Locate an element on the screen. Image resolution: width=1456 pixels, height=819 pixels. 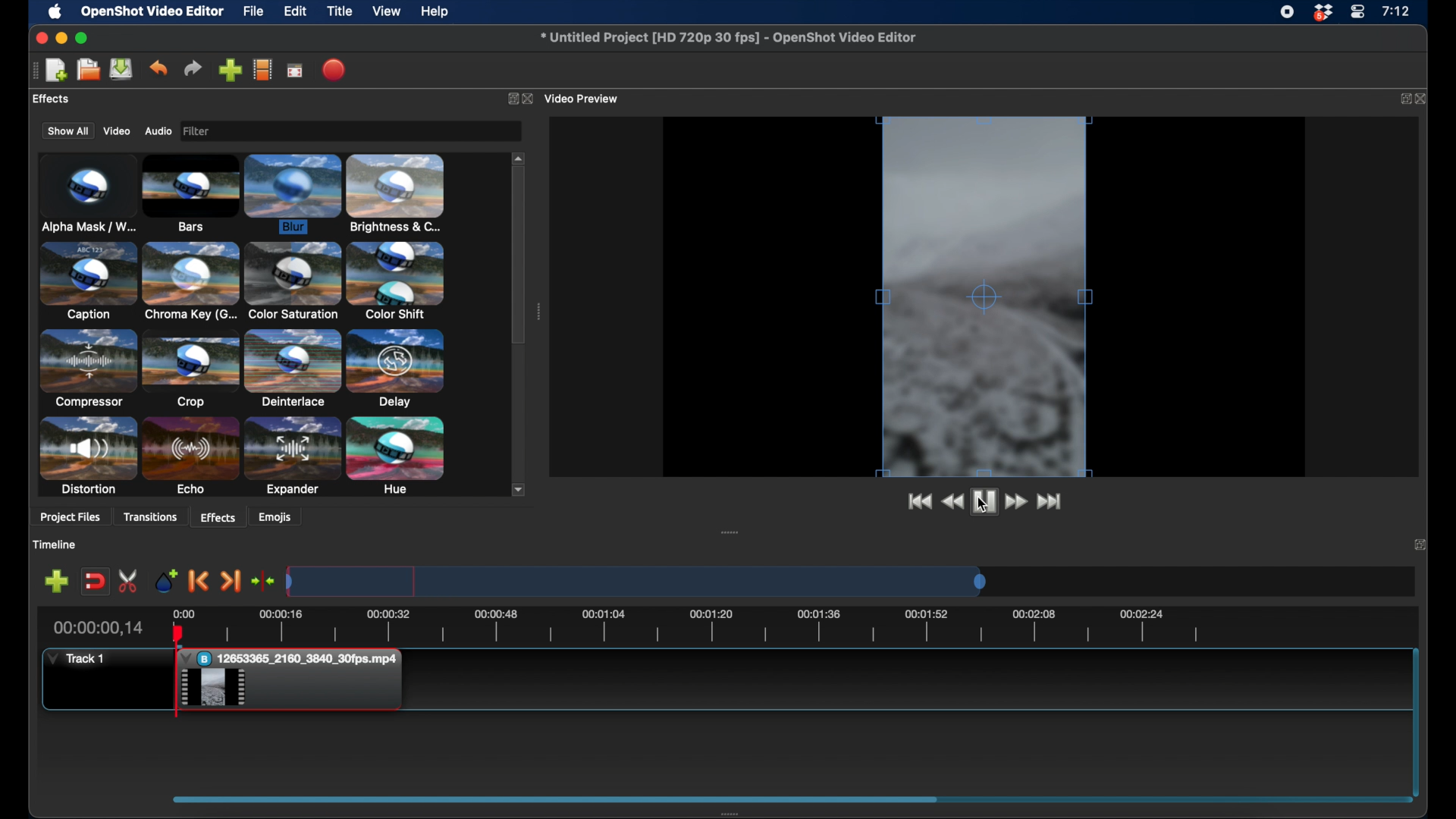
jump to start is located at coordinates (919, 502).